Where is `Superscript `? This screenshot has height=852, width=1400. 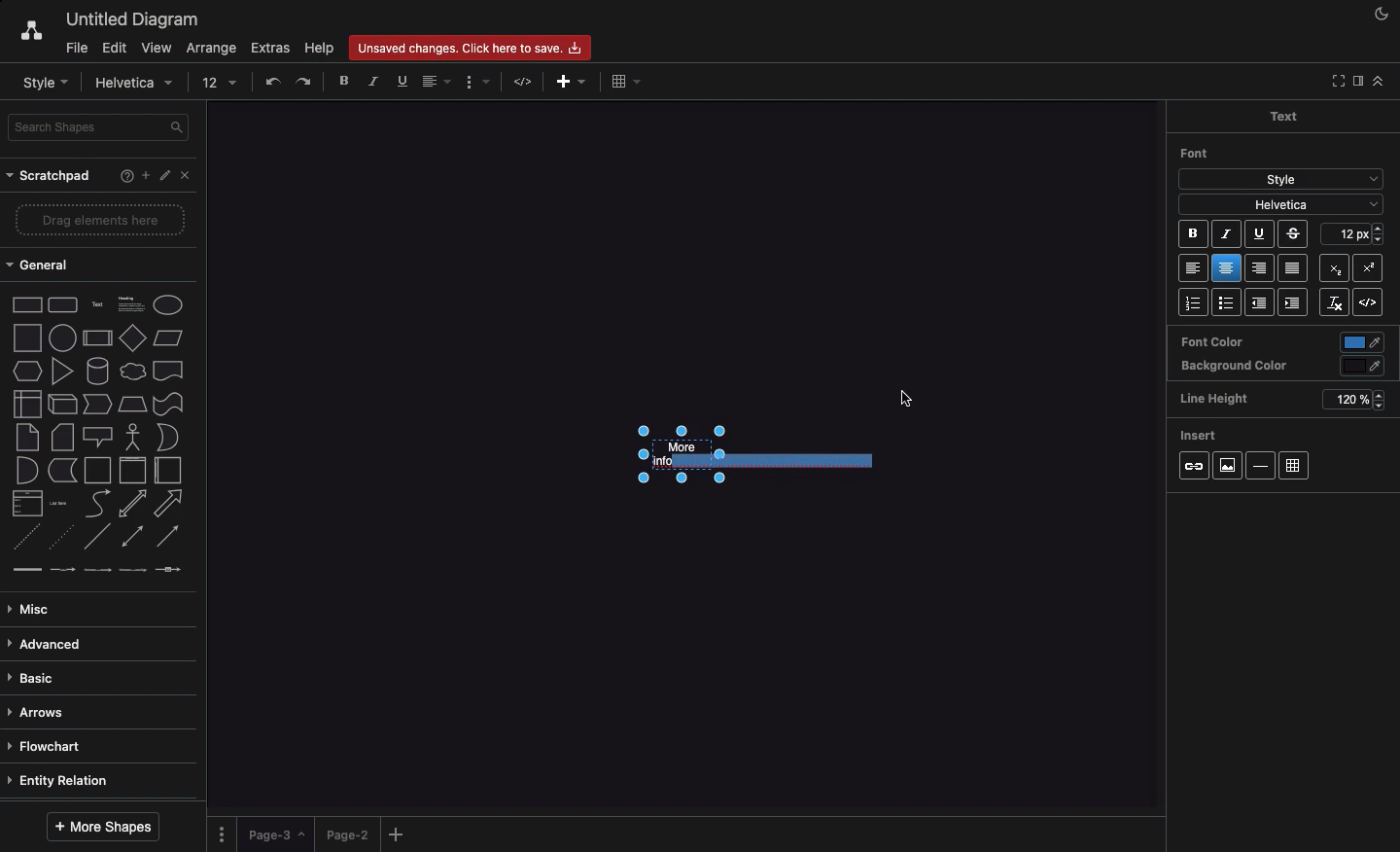 Superscript  is located at coordinates (1333, 266).